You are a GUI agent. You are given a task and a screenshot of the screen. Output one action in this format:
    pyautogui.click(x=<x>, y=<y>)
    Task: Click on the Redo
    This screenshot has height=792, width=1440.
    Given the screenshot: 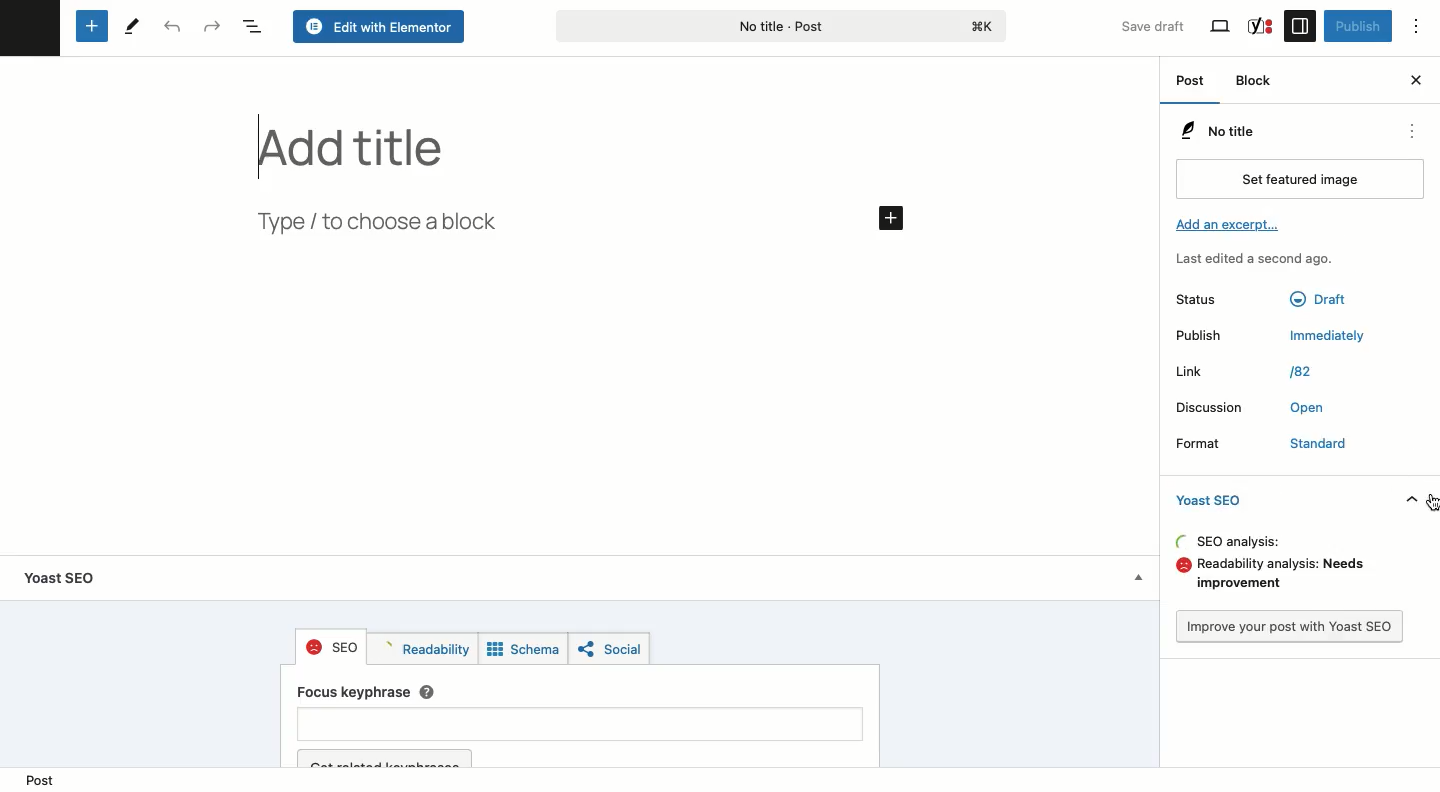 What is the action you would take?
    pyautogui.click(x=213, y=26)
    